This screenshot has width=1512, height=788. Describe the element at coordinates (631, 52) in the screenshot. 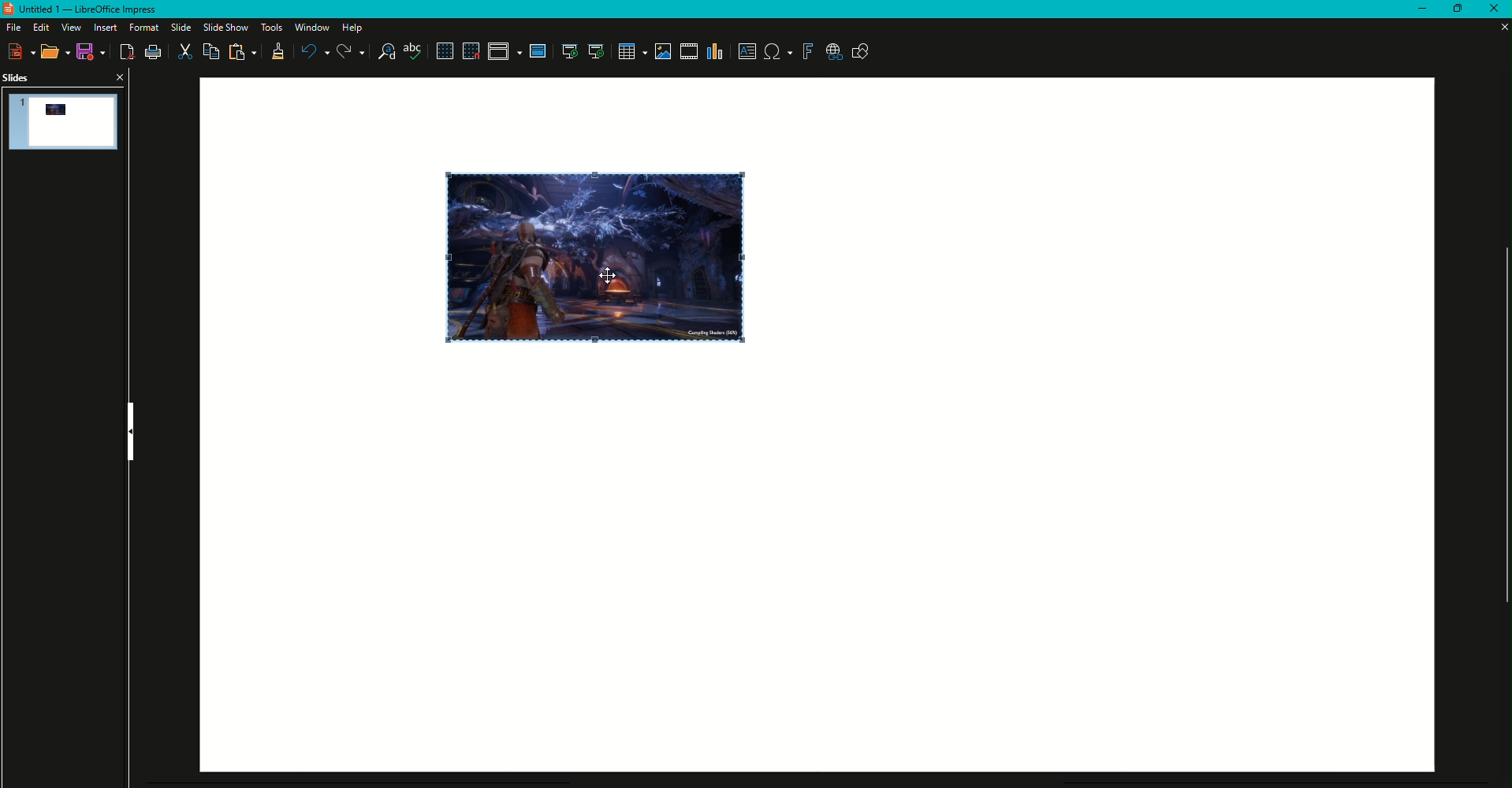

I see `Table` at that location.